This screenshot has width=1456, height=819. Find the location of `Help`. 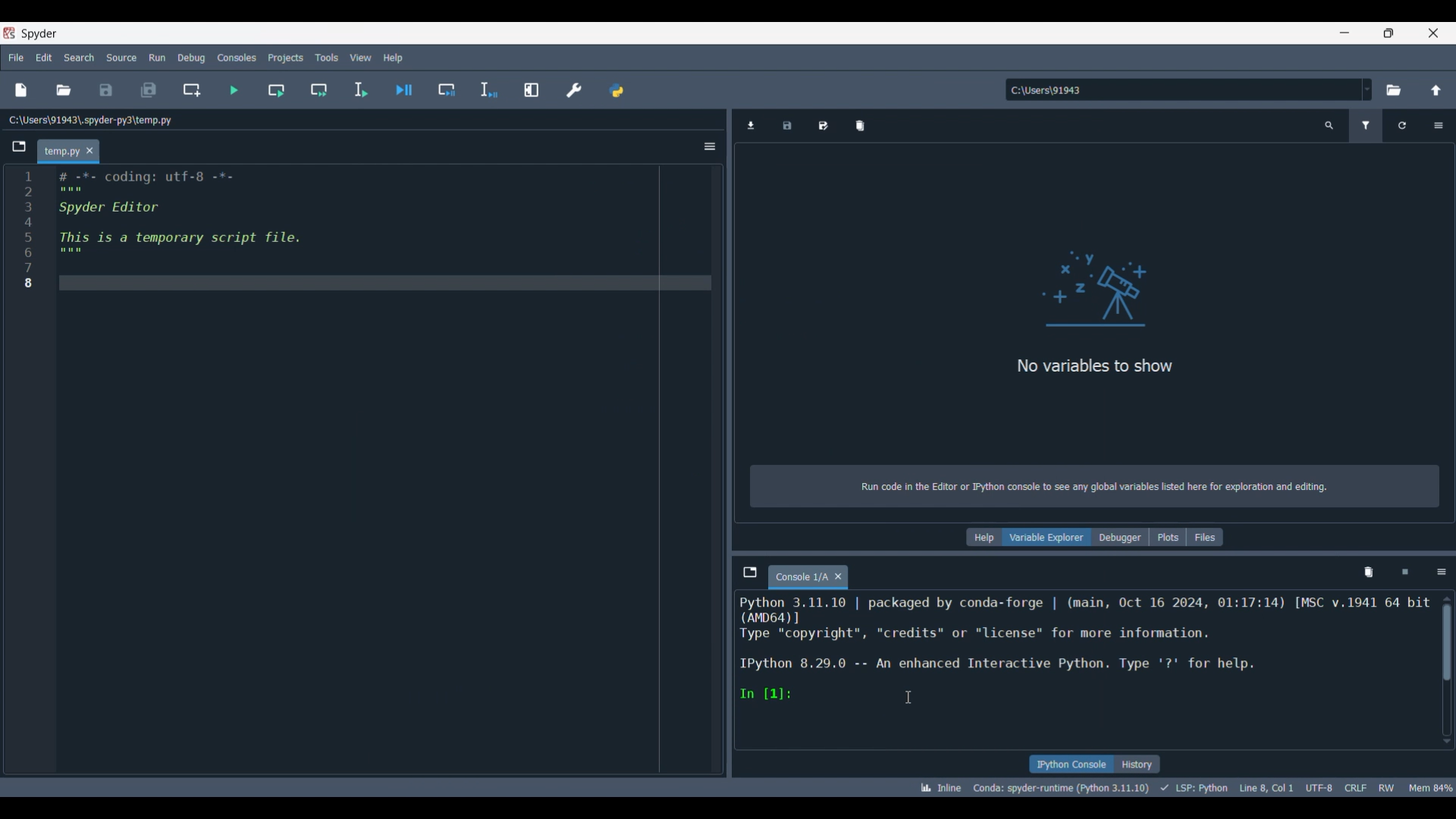

Help is located at coordinates (984, 537).